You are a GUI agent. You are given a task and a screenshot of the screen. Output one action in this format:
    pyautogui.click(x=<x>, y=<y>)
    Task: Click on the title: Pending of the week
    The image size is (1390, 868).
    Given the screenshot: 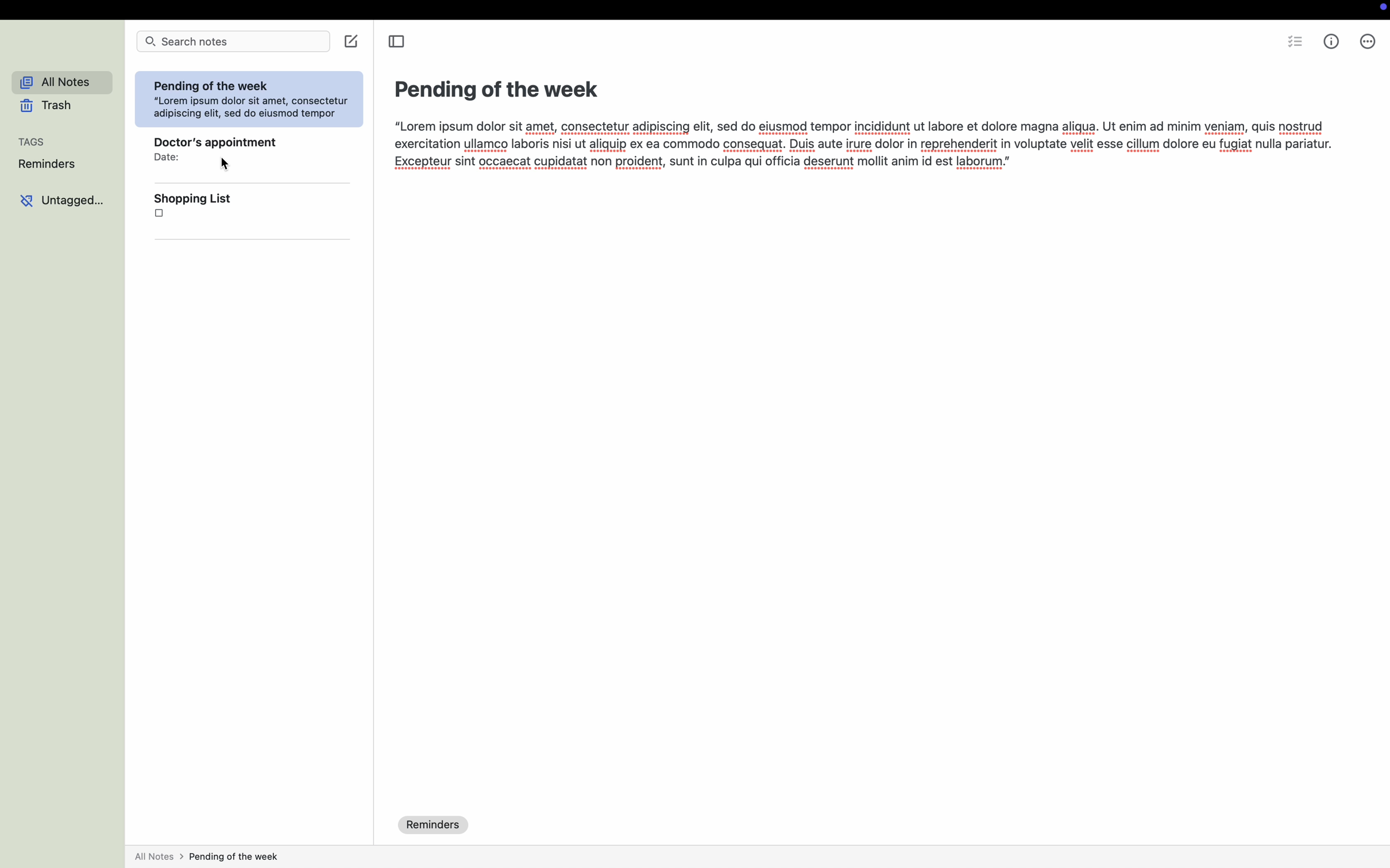 What is the action you would take?
    pyautogui.click(x=497, y=88)
    